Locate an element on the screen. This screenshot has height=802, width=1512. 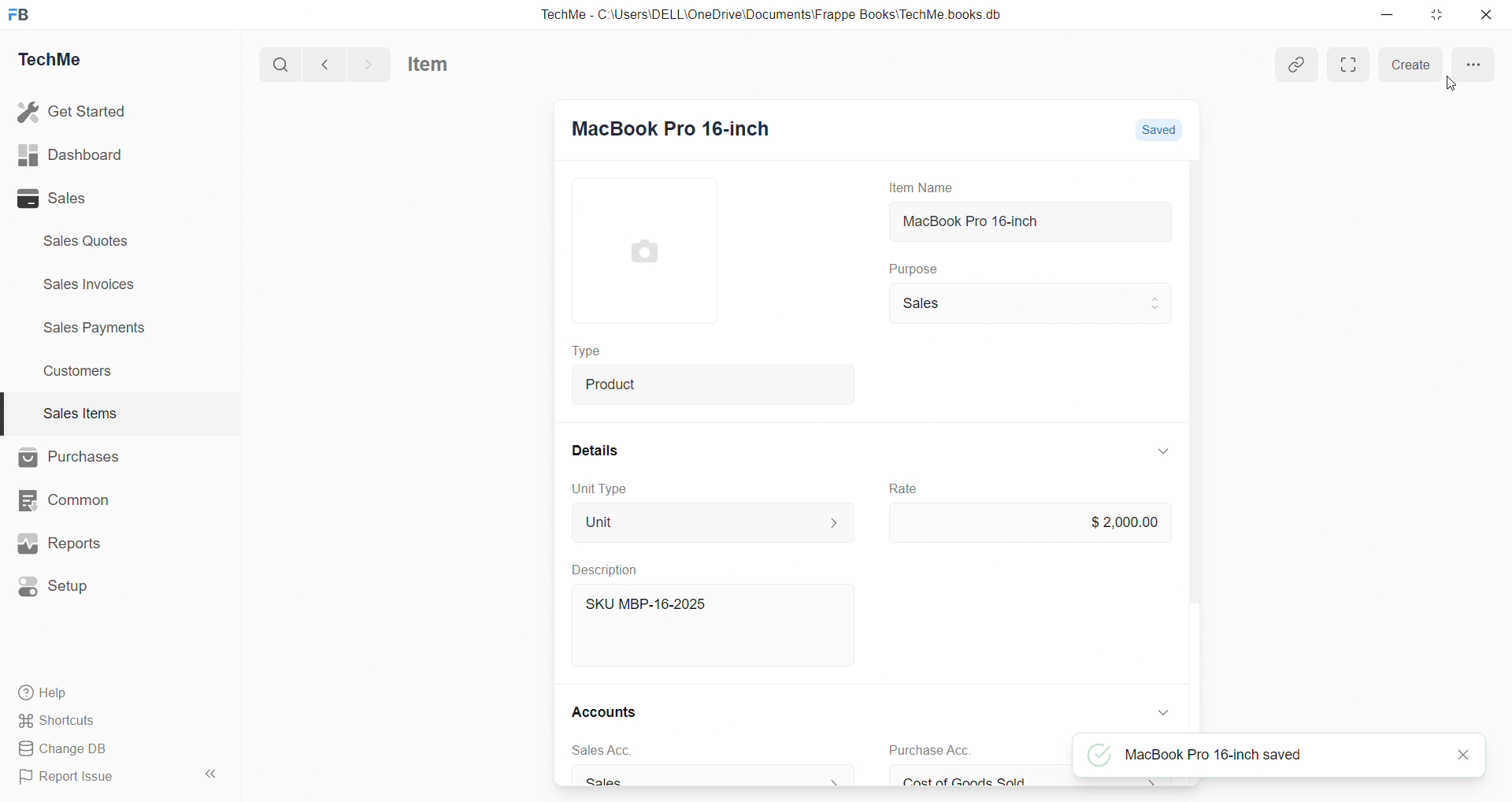
TechMe is located at coordinates (55, 58).